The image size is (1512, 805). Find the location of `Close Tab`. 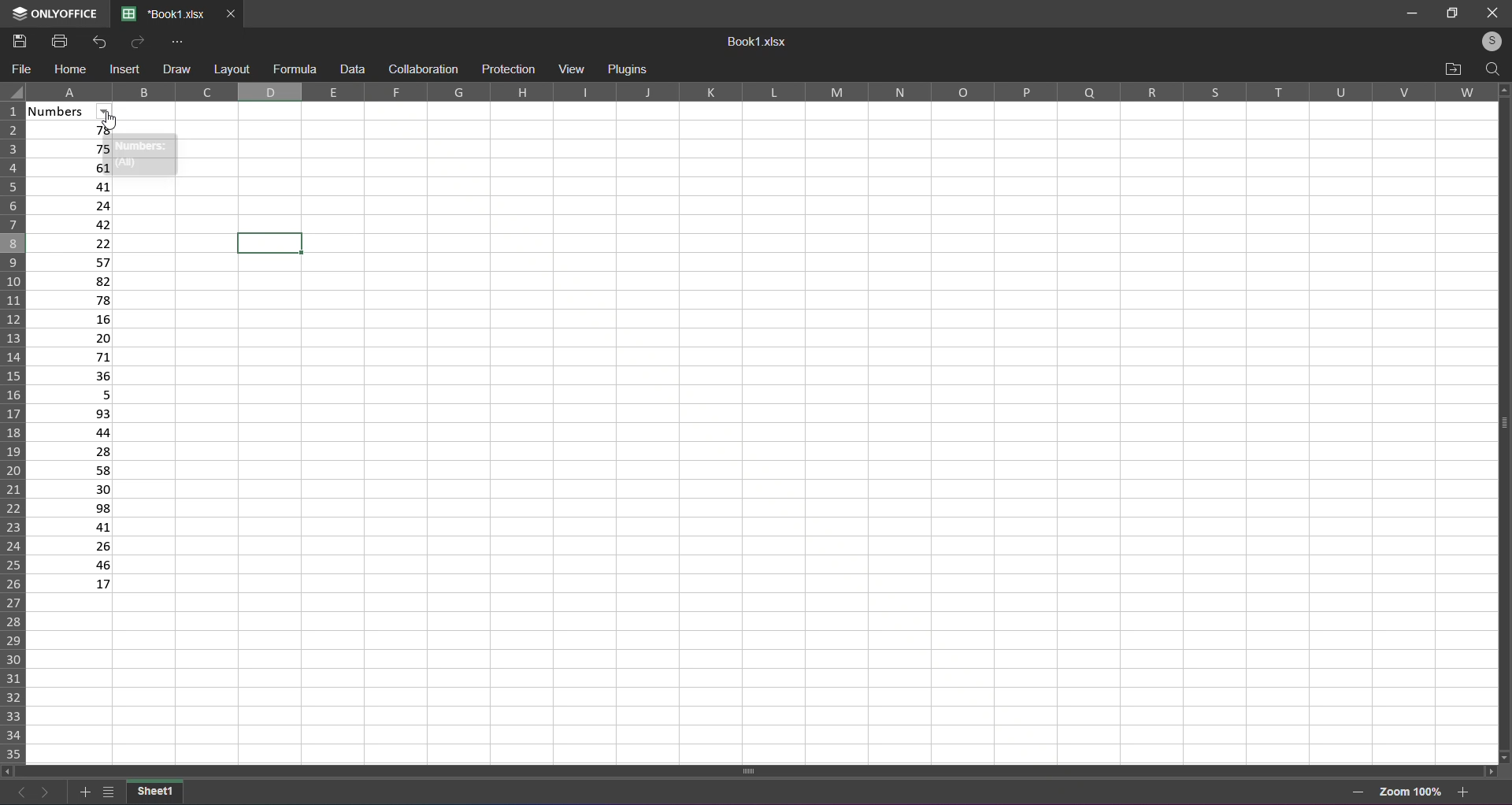

Close Tab is located at coordinates (232, 14).